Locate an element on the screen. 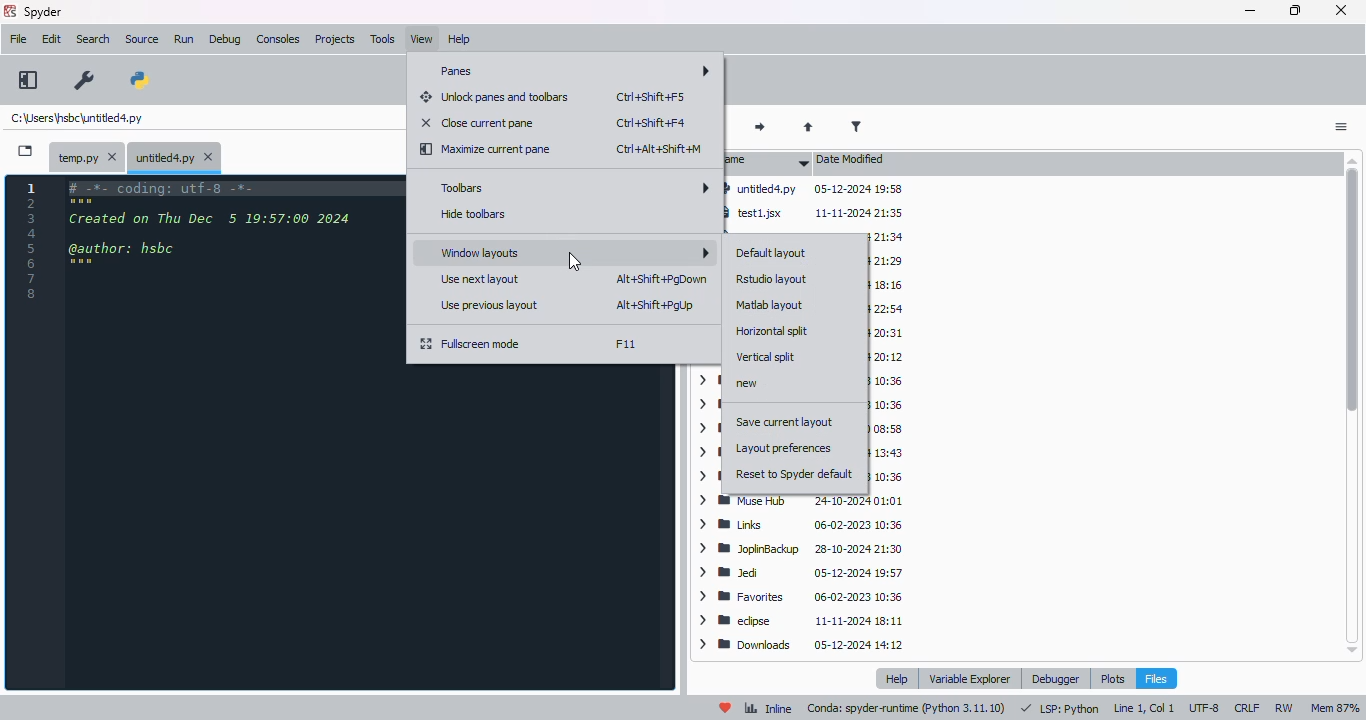  Music is located at coordinates (884, 475).